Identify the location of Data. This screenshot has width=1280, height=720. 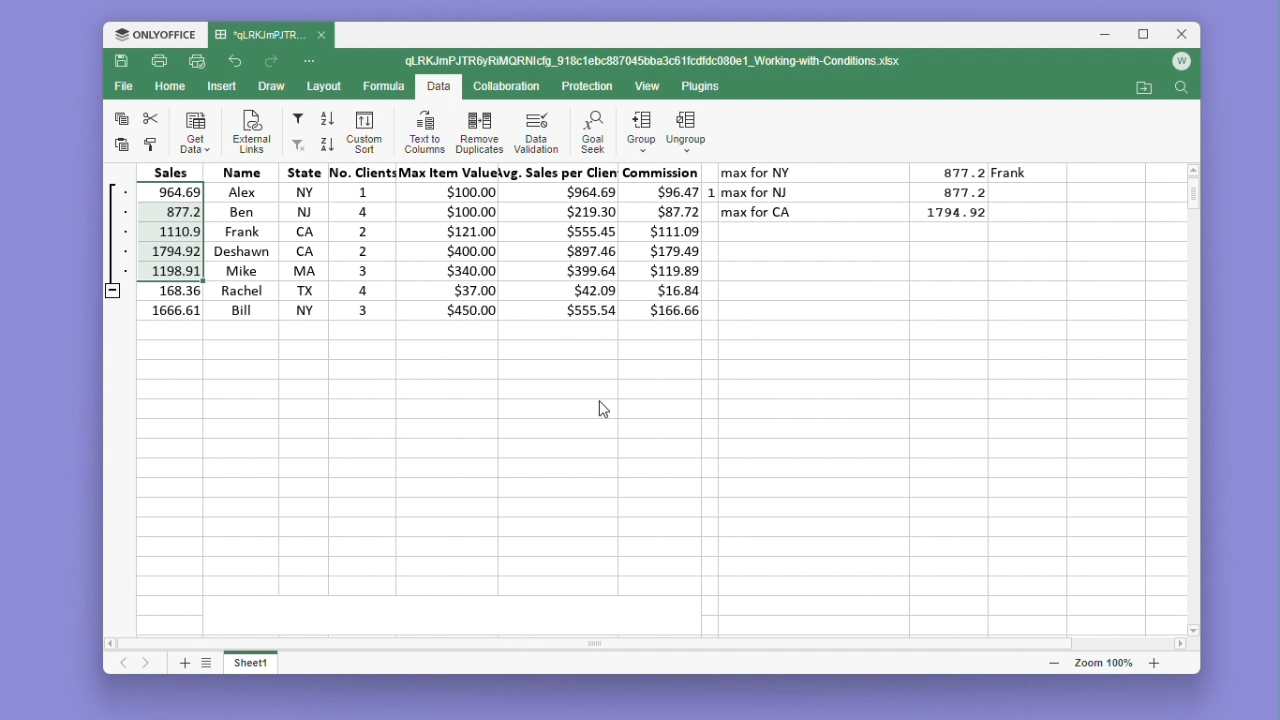
(442, 250).